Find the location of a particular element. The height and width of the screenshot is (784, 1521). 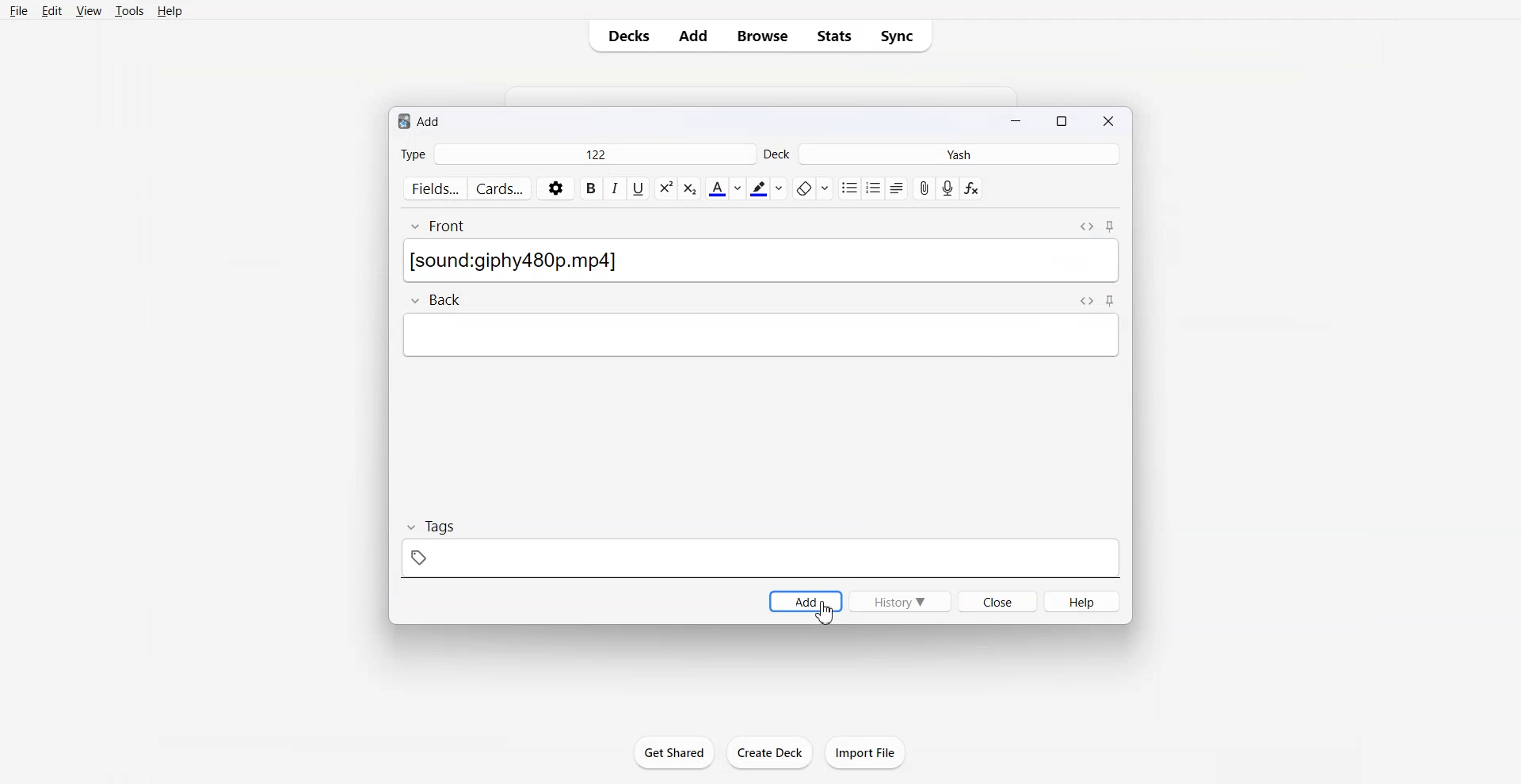

Sync is located at coordinates (904, 36).